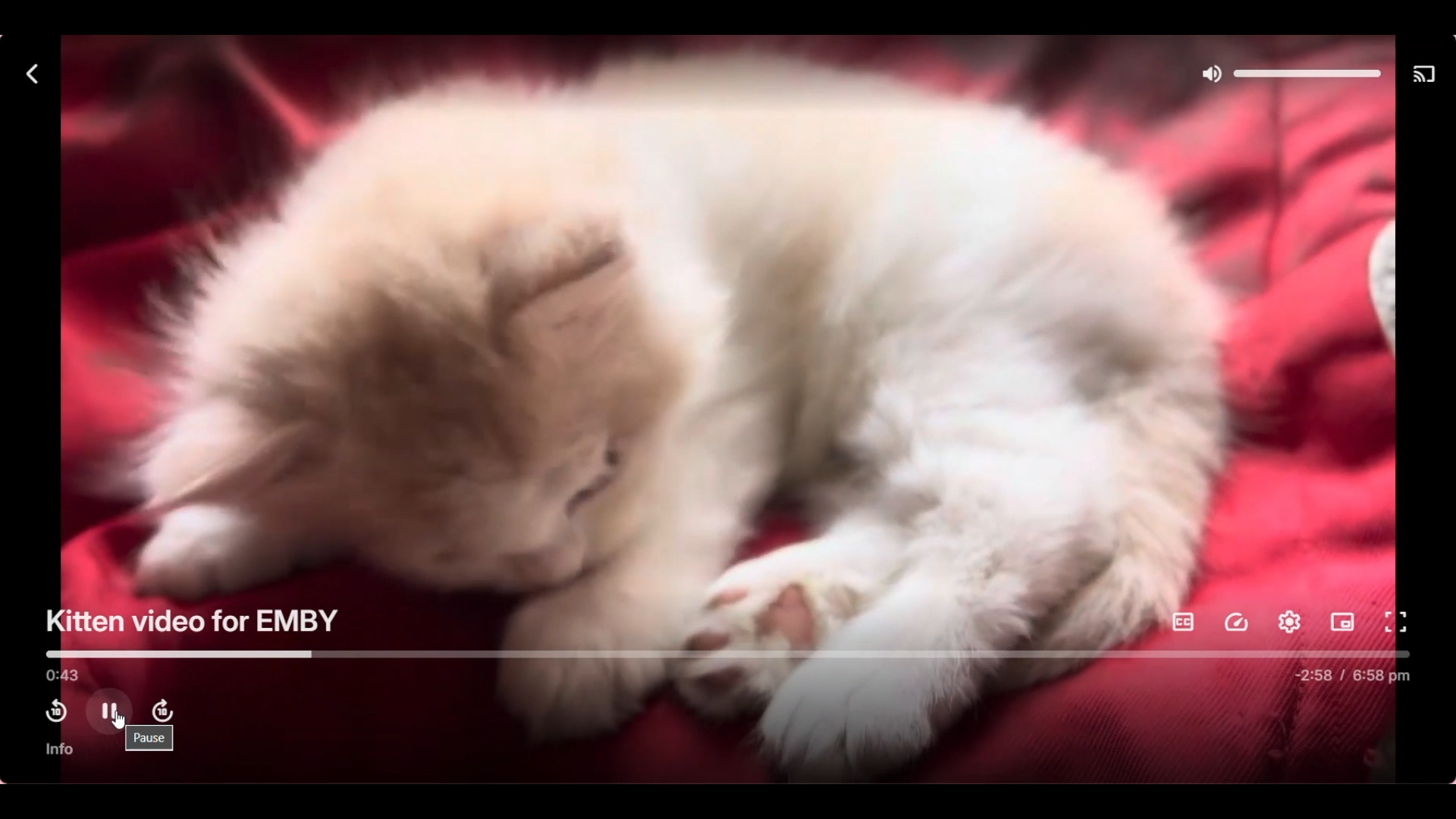 The width and height of the screenshot is (1456, 819). Describe the element at coordinates (1428, 76) in the screenshot. I see `Play on another device` at that location.